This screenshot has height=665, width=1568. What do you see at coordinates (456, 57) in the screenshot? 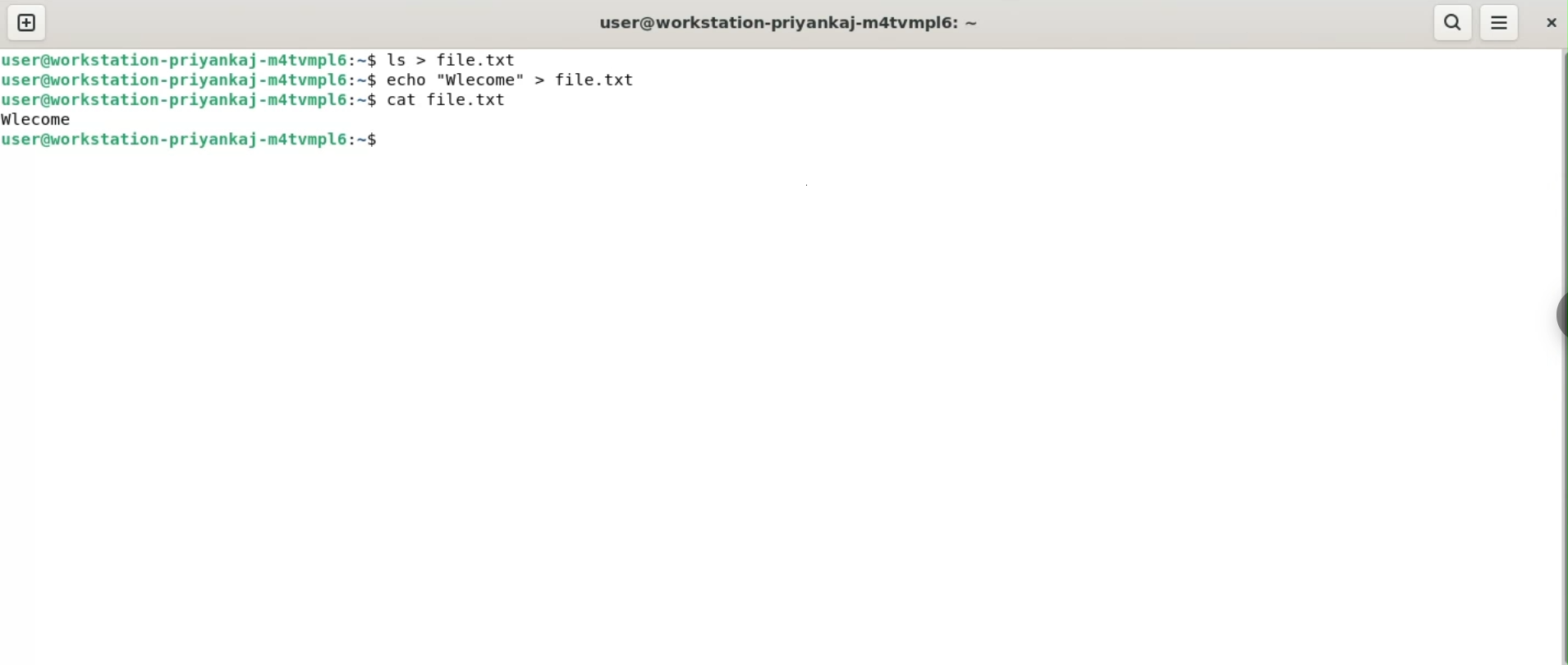
I see `ls > file.txt` at bounding box center [456, 57].